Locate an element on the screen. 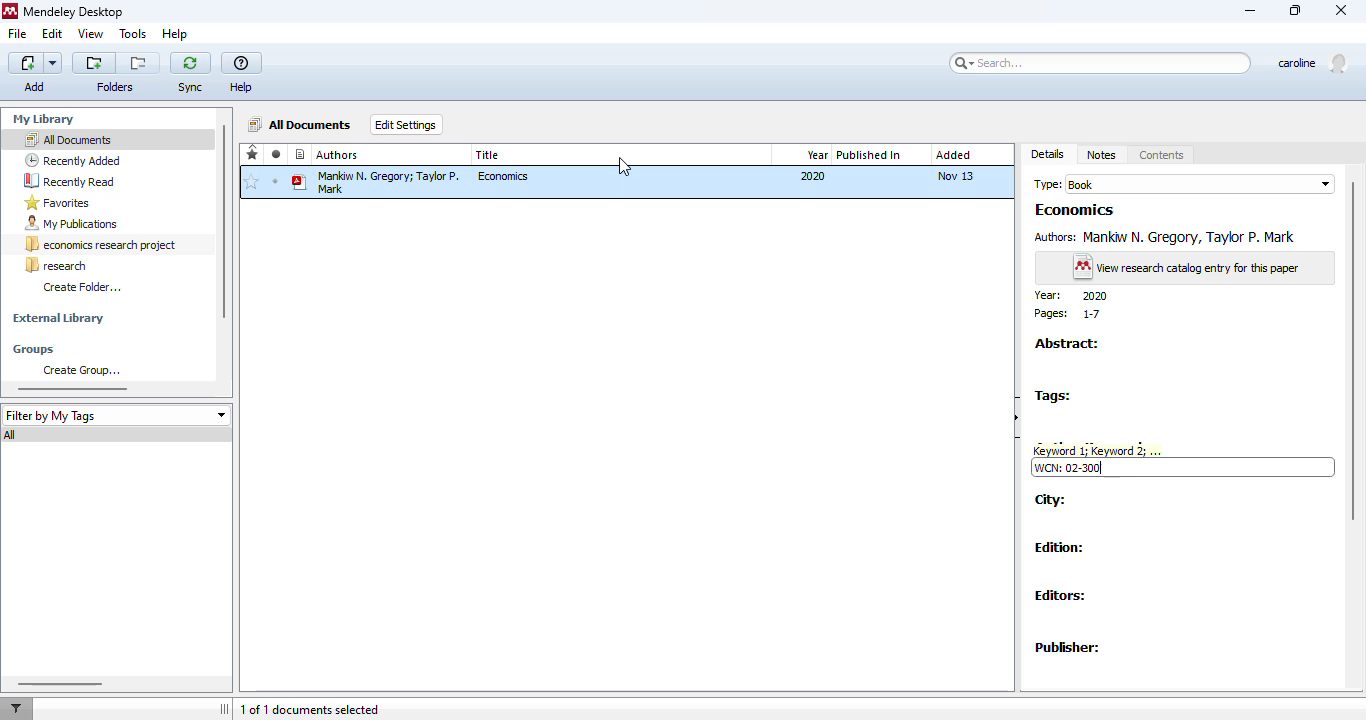 The height and width of the screenshot is (720, 1366). Authors: Mankiw N. Gregory, Taylor P. Mark is located at coordinates (1165, 238).